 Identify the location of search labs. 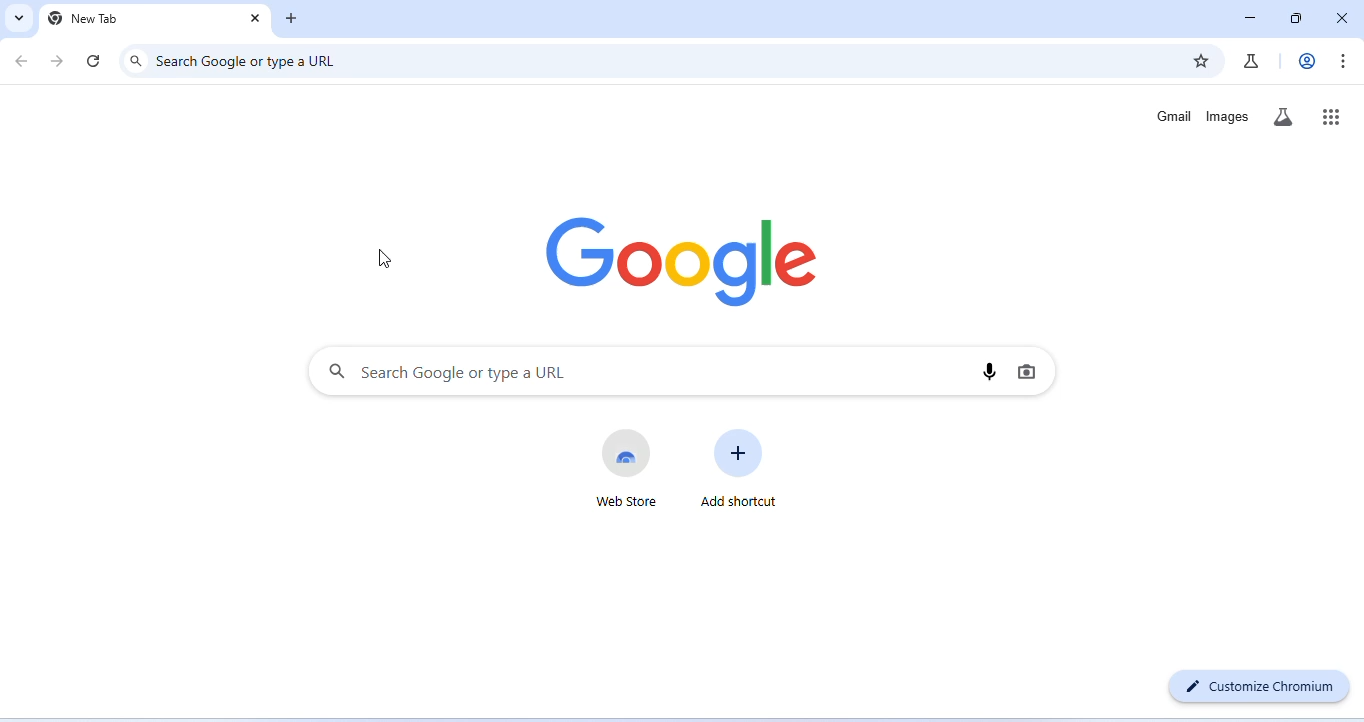
(1288, 119).